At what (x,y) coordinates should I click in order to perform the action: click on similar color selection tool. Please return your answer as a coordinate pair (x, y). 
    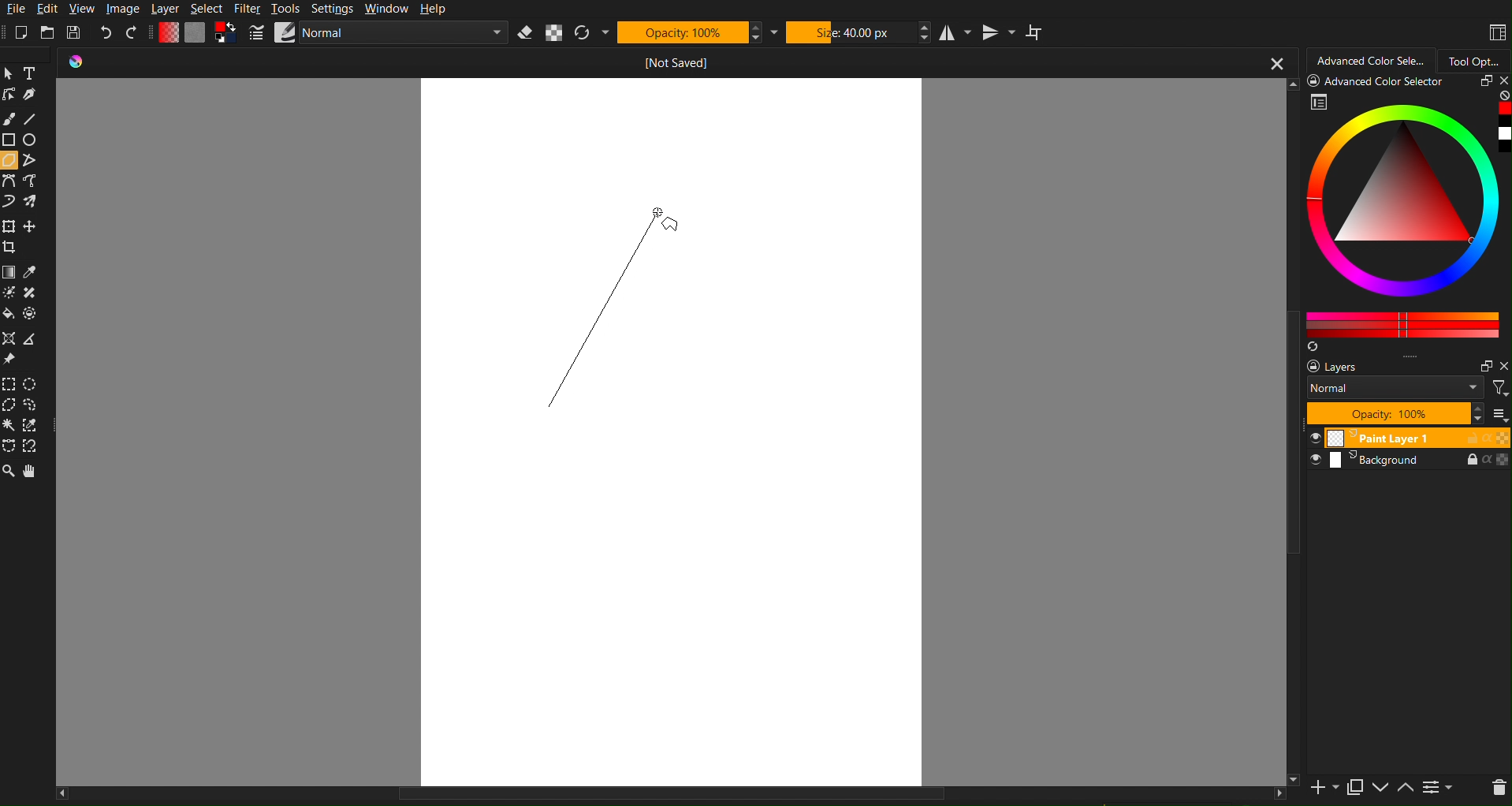
    Looking at the image, I should click on (35, 427).